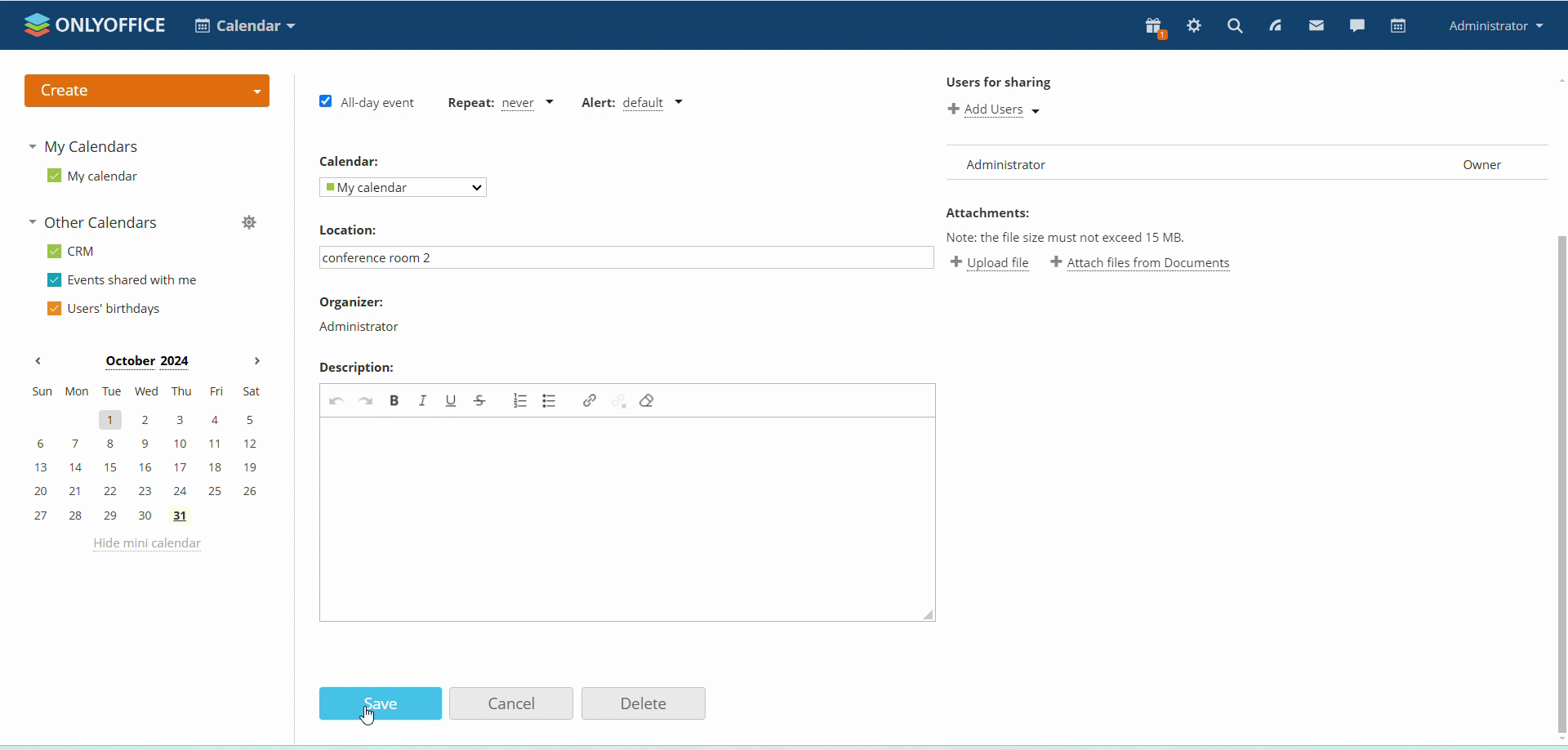 The width and height of the screenshot is (1568, 750). I want to click on unlink, so click(615, 400).